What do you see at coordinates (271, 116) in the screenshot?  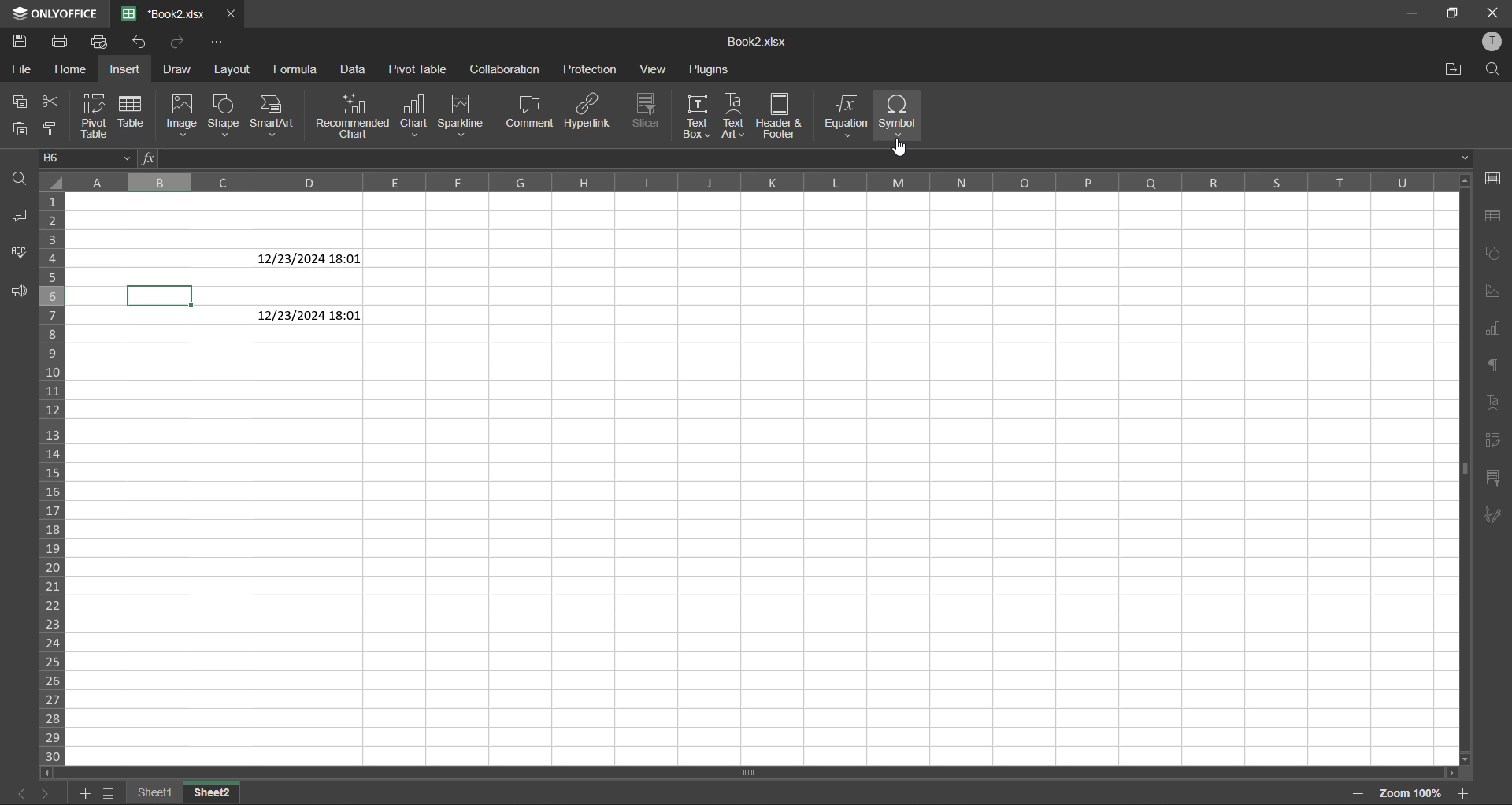 I see `smartart` at bounding box center [271, 116].